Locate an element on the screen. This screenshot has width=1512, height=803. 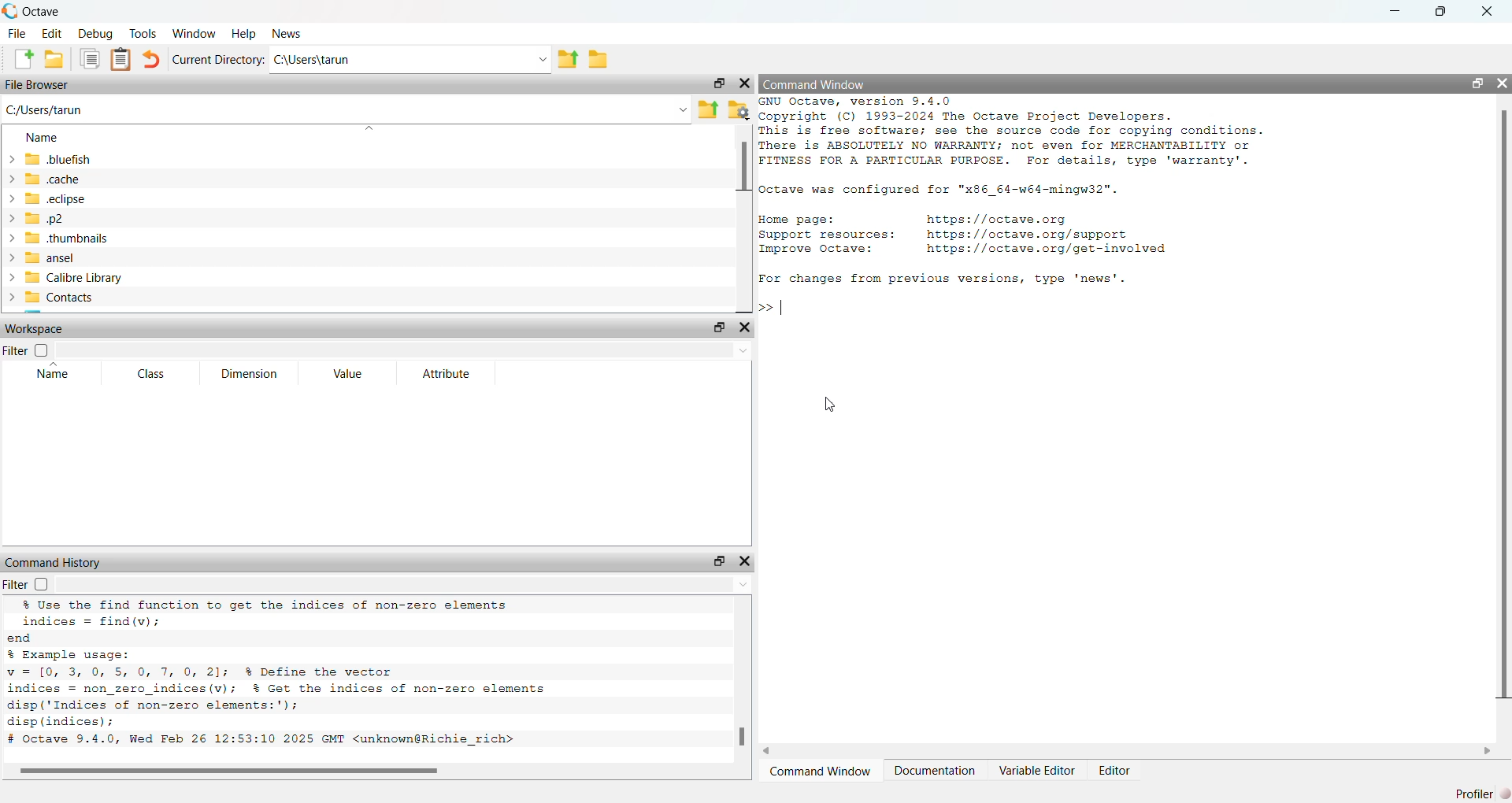
restore down is located at coordinates (719, 328).